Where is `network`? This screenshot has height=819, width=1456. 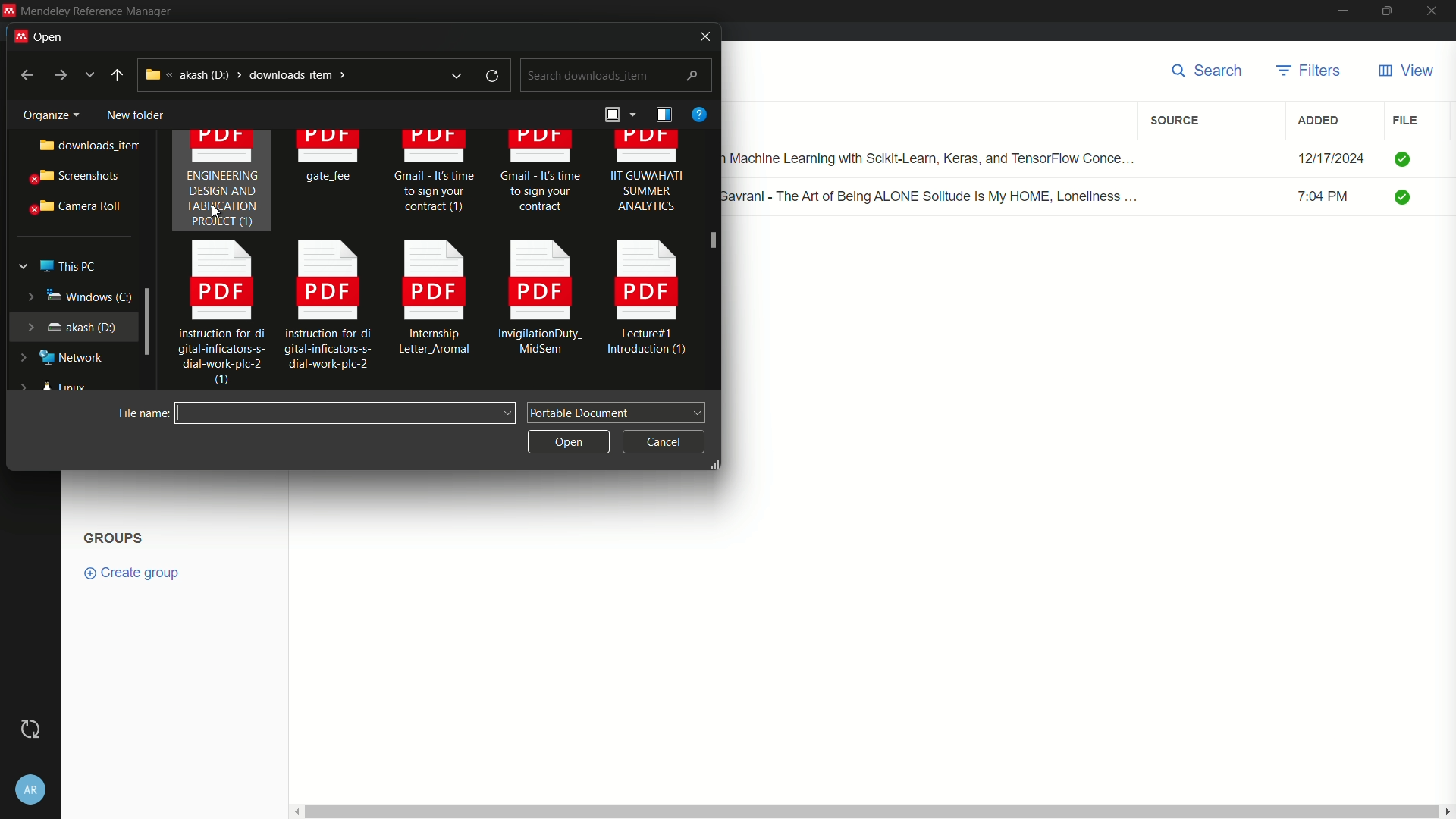 network is located at coordinates (64, 358).